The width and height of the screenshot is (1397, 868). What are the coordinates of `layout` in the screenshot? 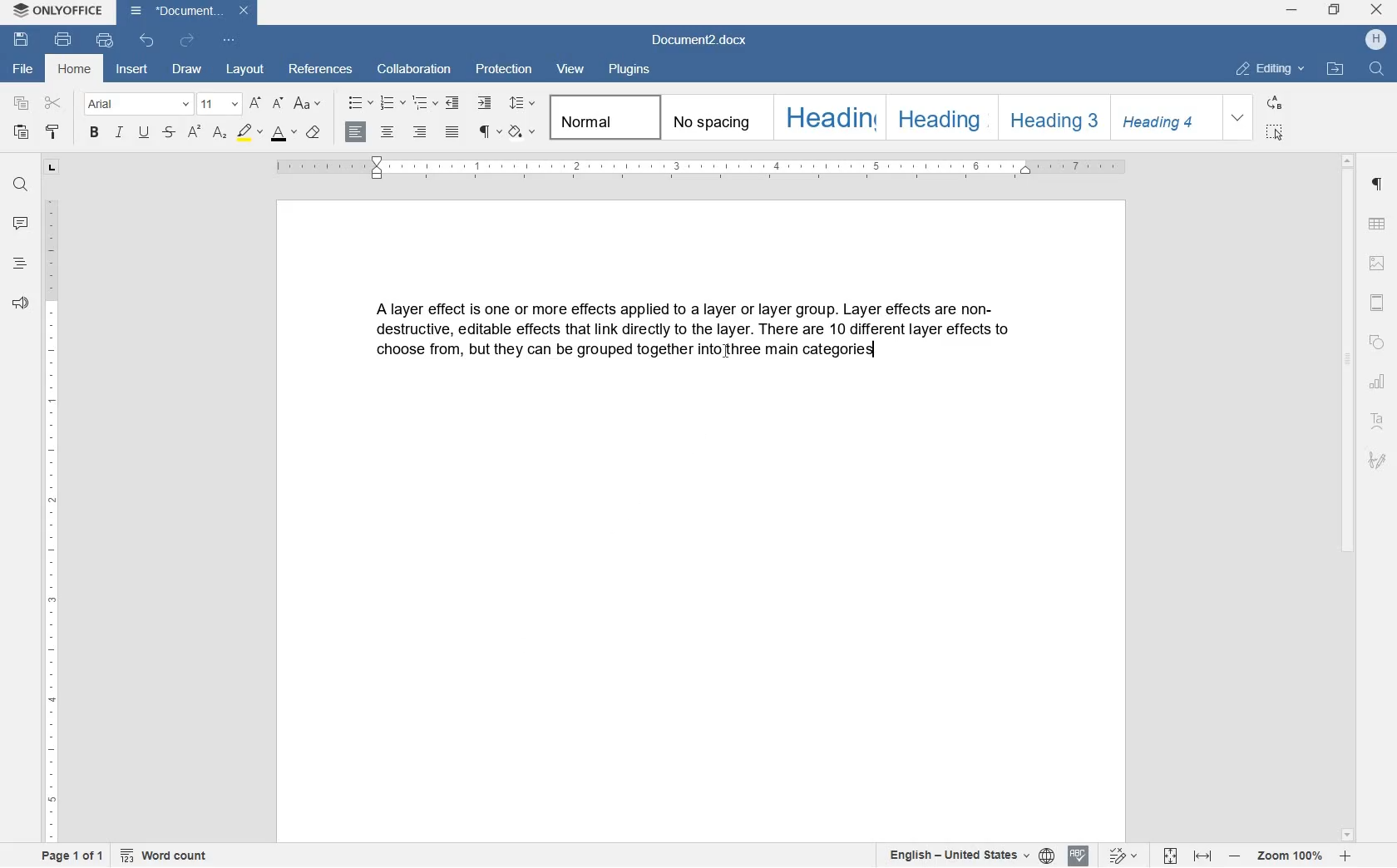 It's located at (248, 71).